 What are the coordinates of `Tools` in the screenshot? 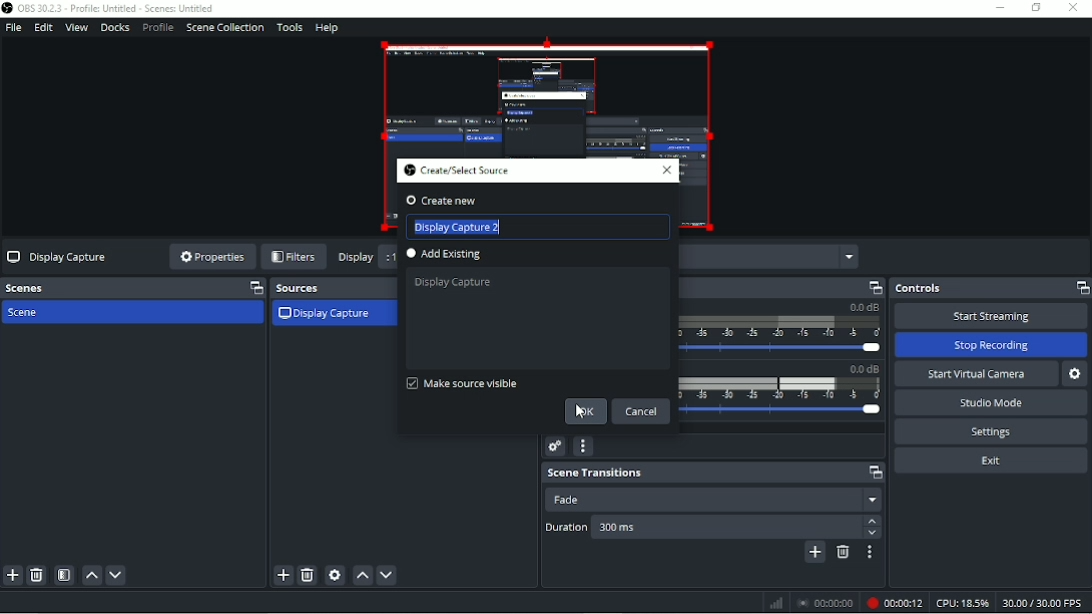 It's located at (290, 27).